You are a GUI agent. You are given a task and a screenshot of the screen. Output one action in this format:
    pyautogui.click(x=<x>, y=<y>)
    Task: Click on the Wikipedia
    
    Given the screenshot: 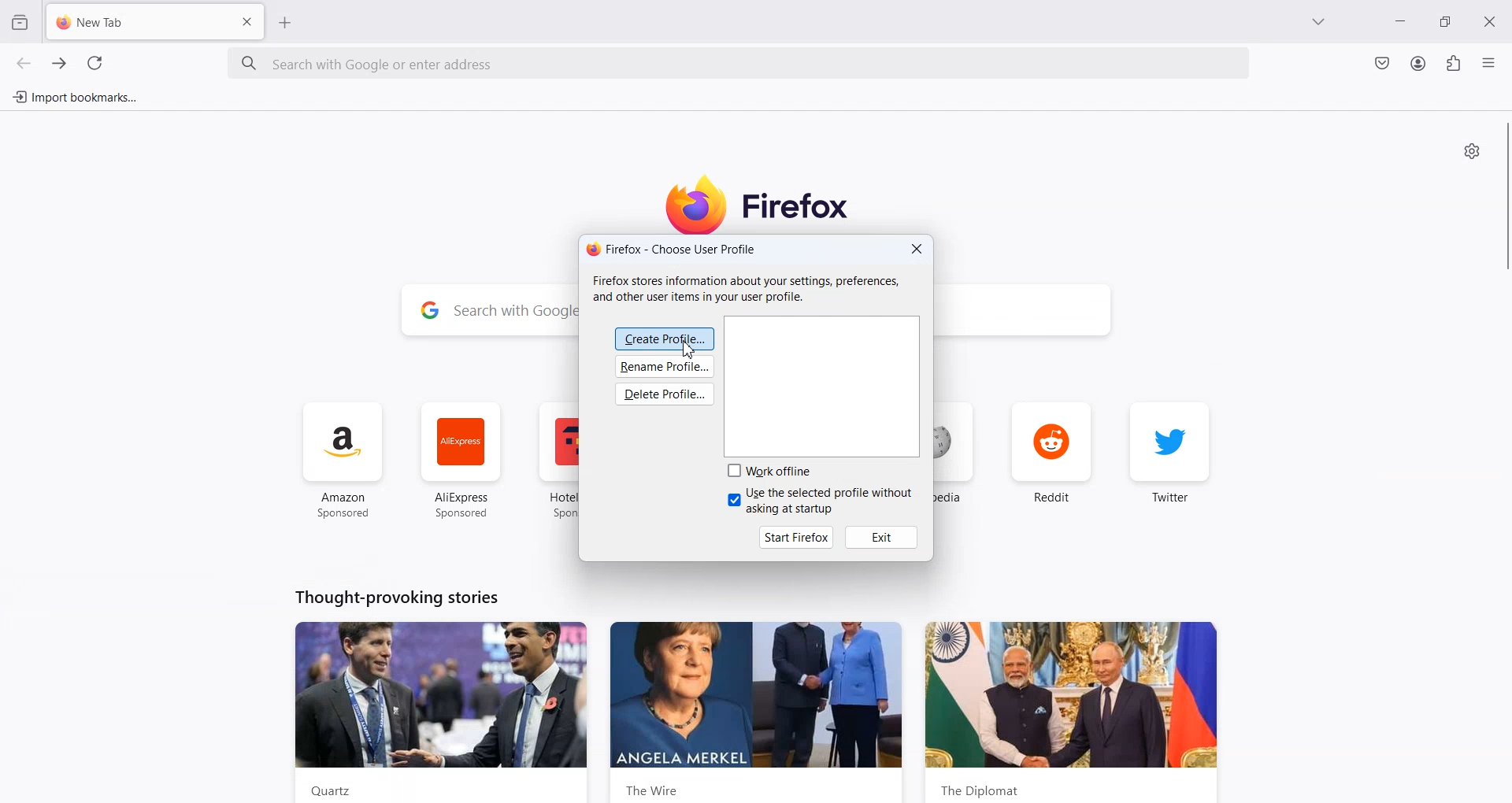 What is the action you would take?
    pyautogui.click(x=958, y=462)
    